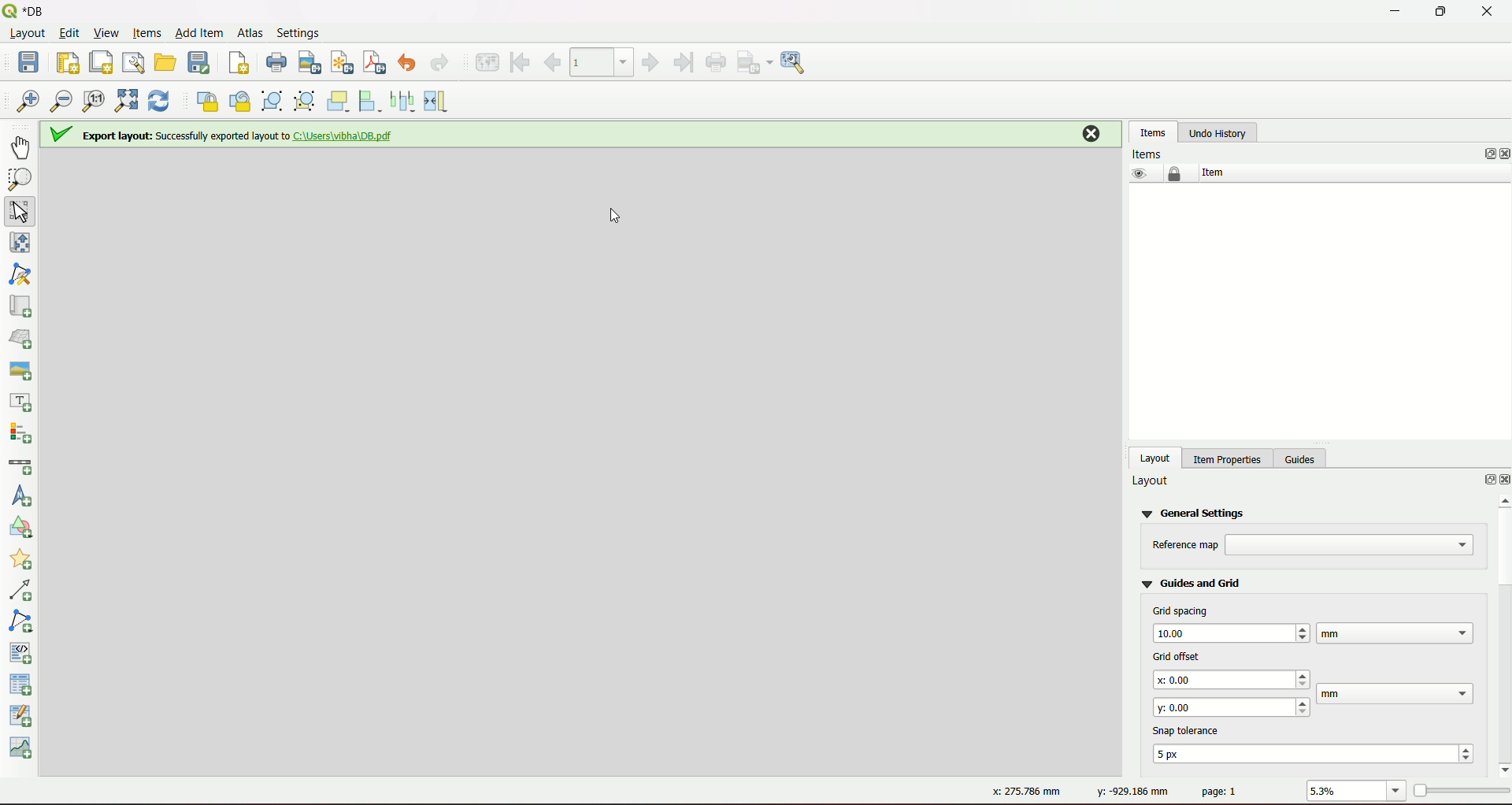  Describe the element at coordinates (1217, 133) in the screenshot. I see `undo history` at that location.